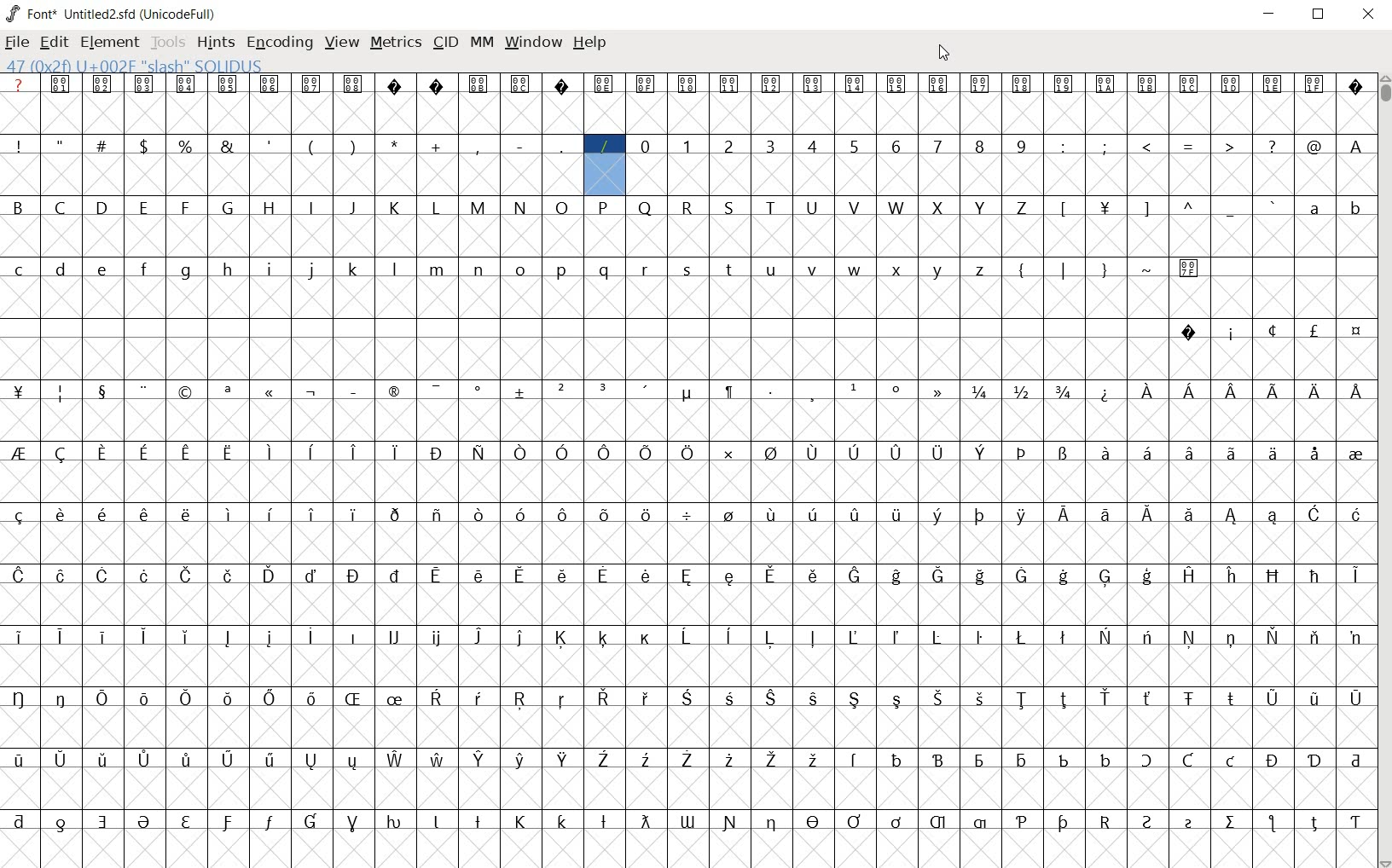 The height and width of the screenshot is (868, 1392). What do you see at coordinates (646, 270) in the screenshot?
I see `glyph` at bounding box center [646, 270].